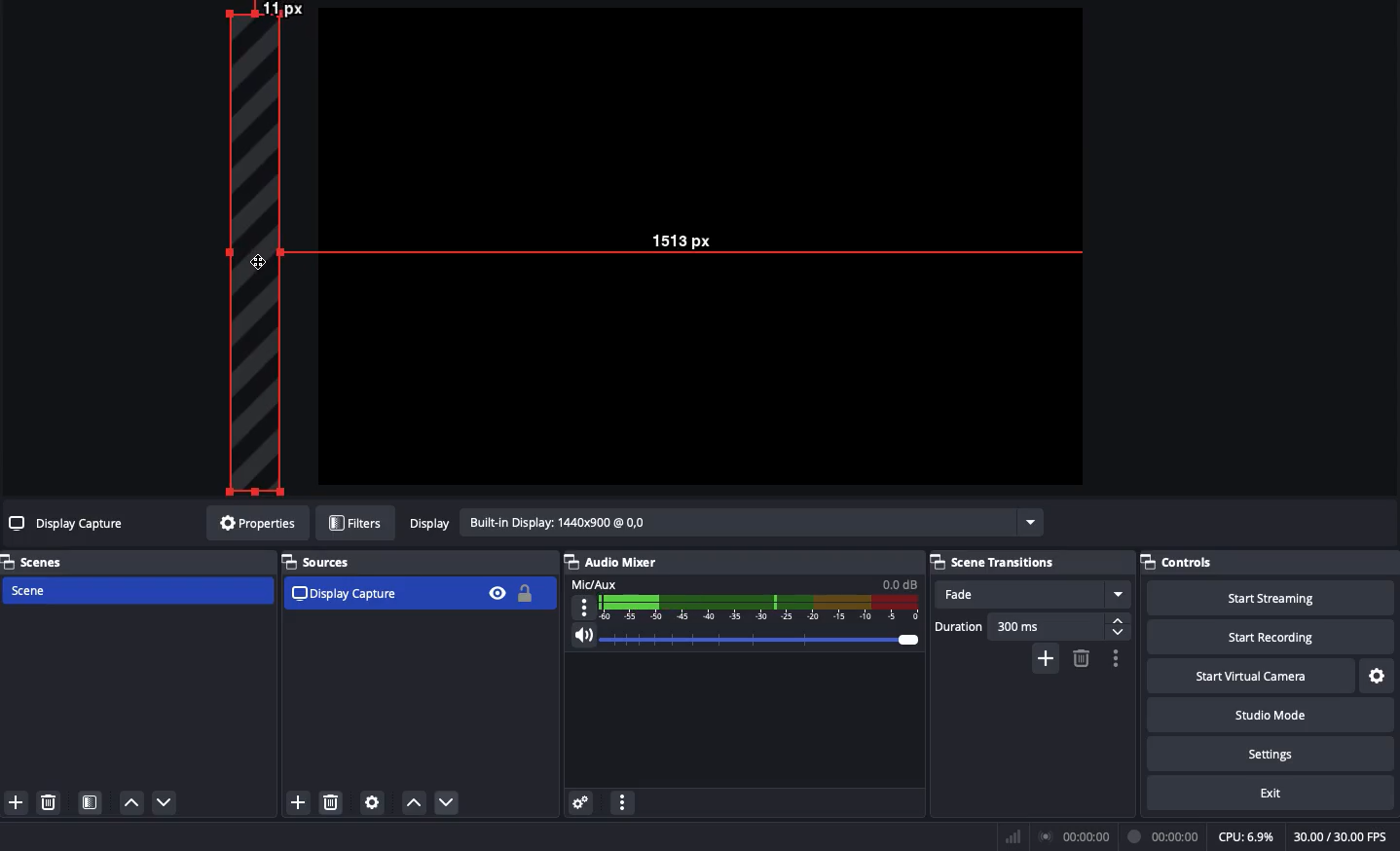  What do you see at coordinates (580, 804) in the screenshot?
I see `Advanced audio properties` at bounding box center [580, 804].